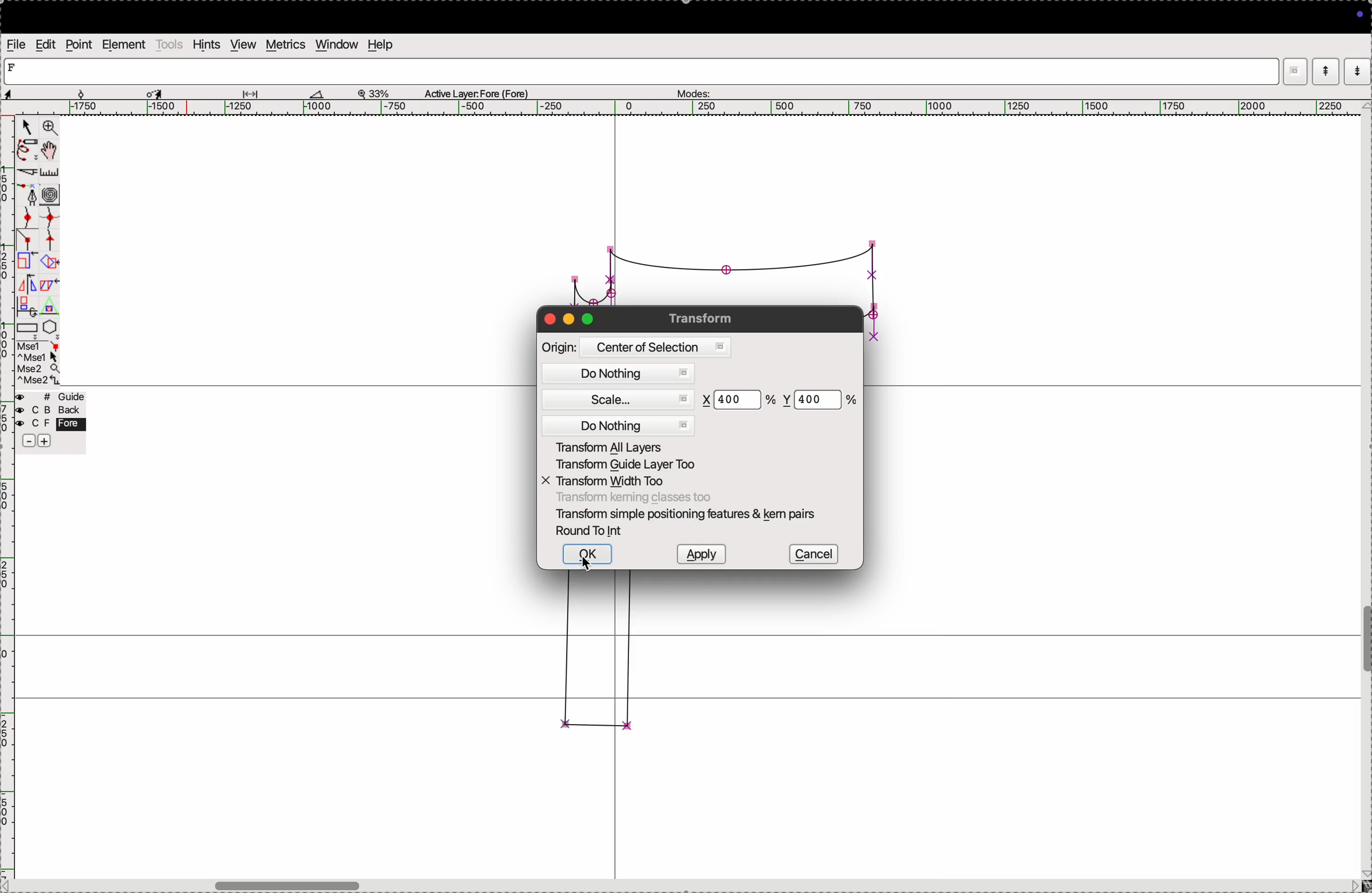  I want to click on overlap, so click(51, 262).